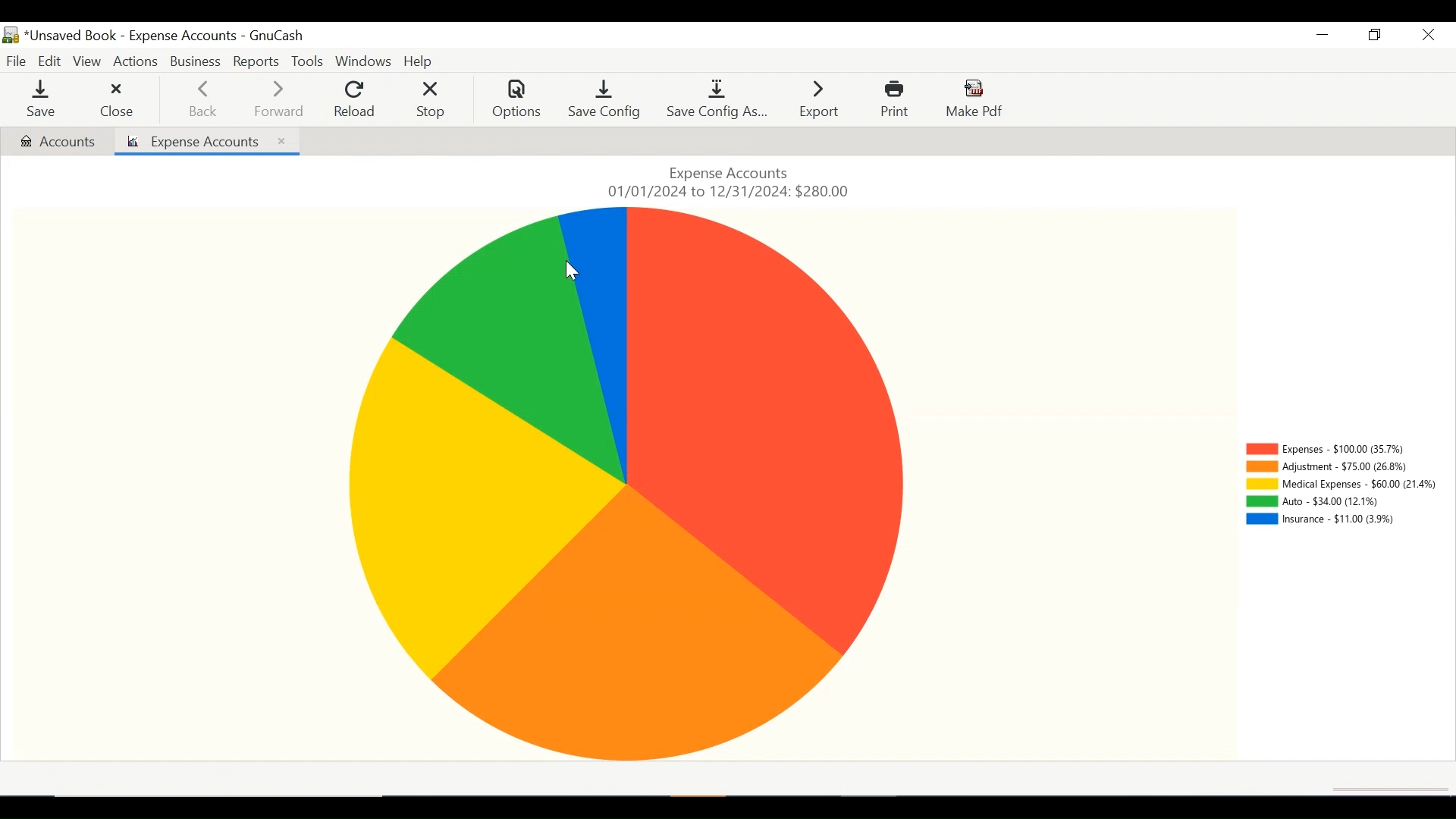 Image resolution: width=1456 pixels, height=819 pixels. I want to click on Options, so click(515, 99).